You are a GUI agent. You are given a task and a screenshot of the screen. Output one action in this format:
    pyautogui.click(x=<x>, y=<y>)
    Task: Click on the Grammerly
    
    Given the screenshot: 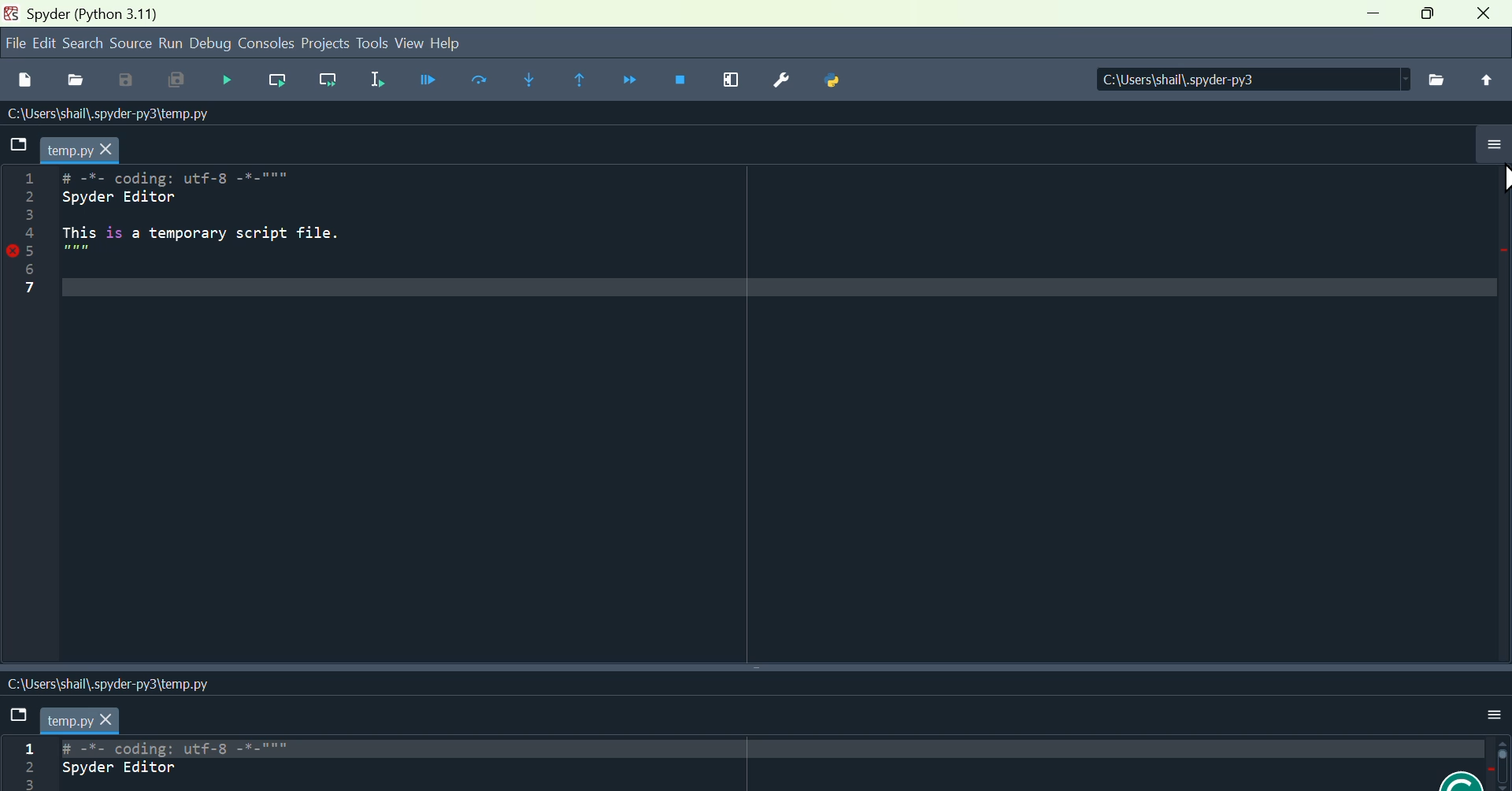 What is the action you would take?
    pyautogui.click(x=1474, y=775)
    